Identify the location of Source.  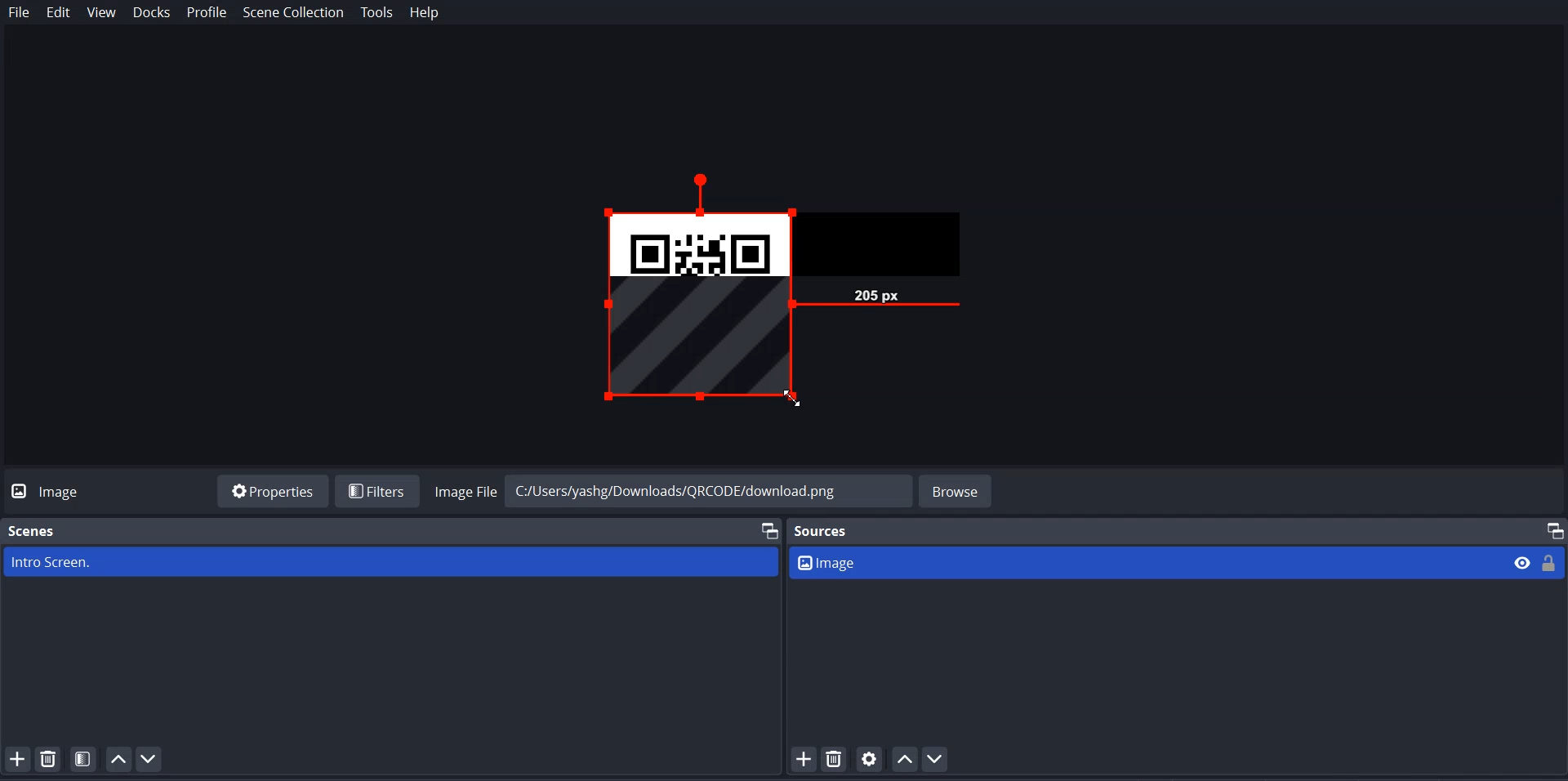
(826, 530).